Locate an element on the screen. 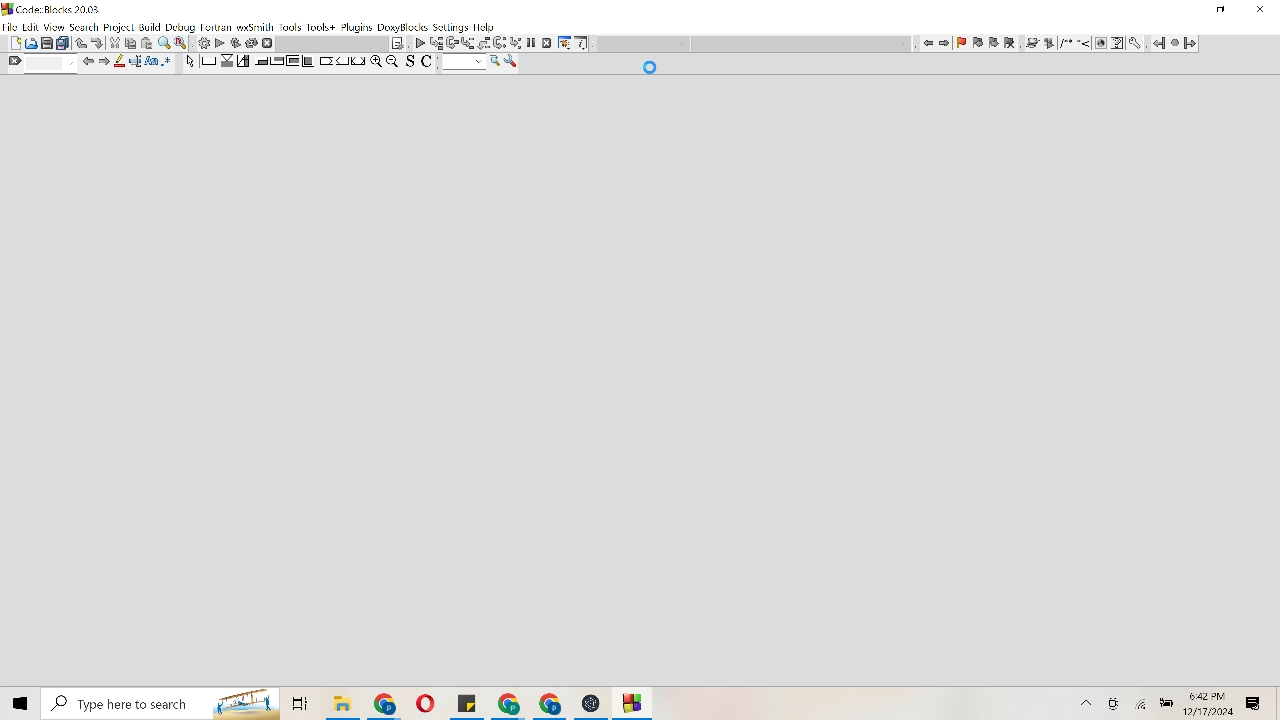 This screenshot has height=720, width=1280. Build is located at coordinates (150, 27).